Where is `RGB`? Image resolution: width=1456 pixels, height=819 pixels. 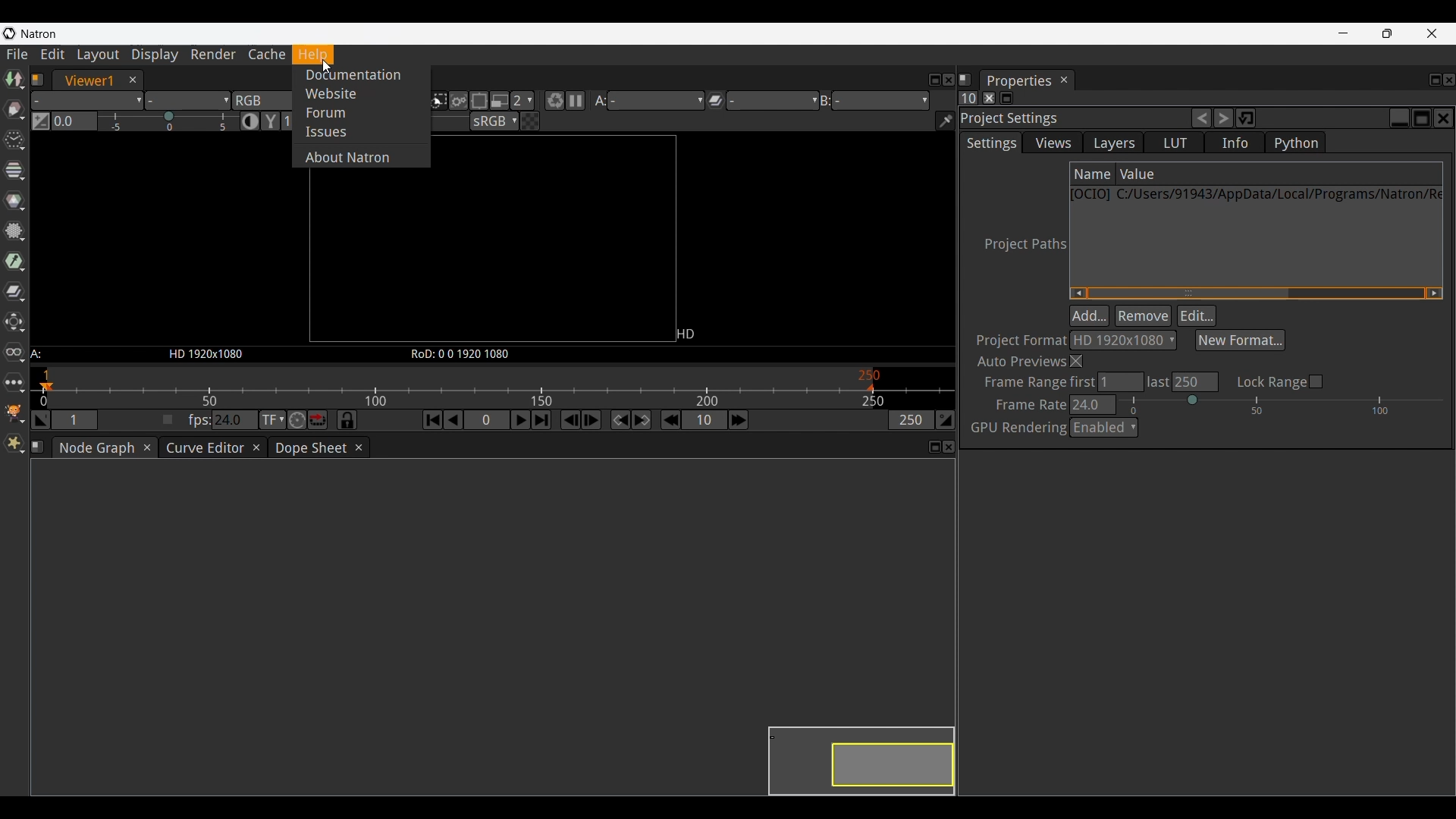
RGB is located at coordinates (261, 101).